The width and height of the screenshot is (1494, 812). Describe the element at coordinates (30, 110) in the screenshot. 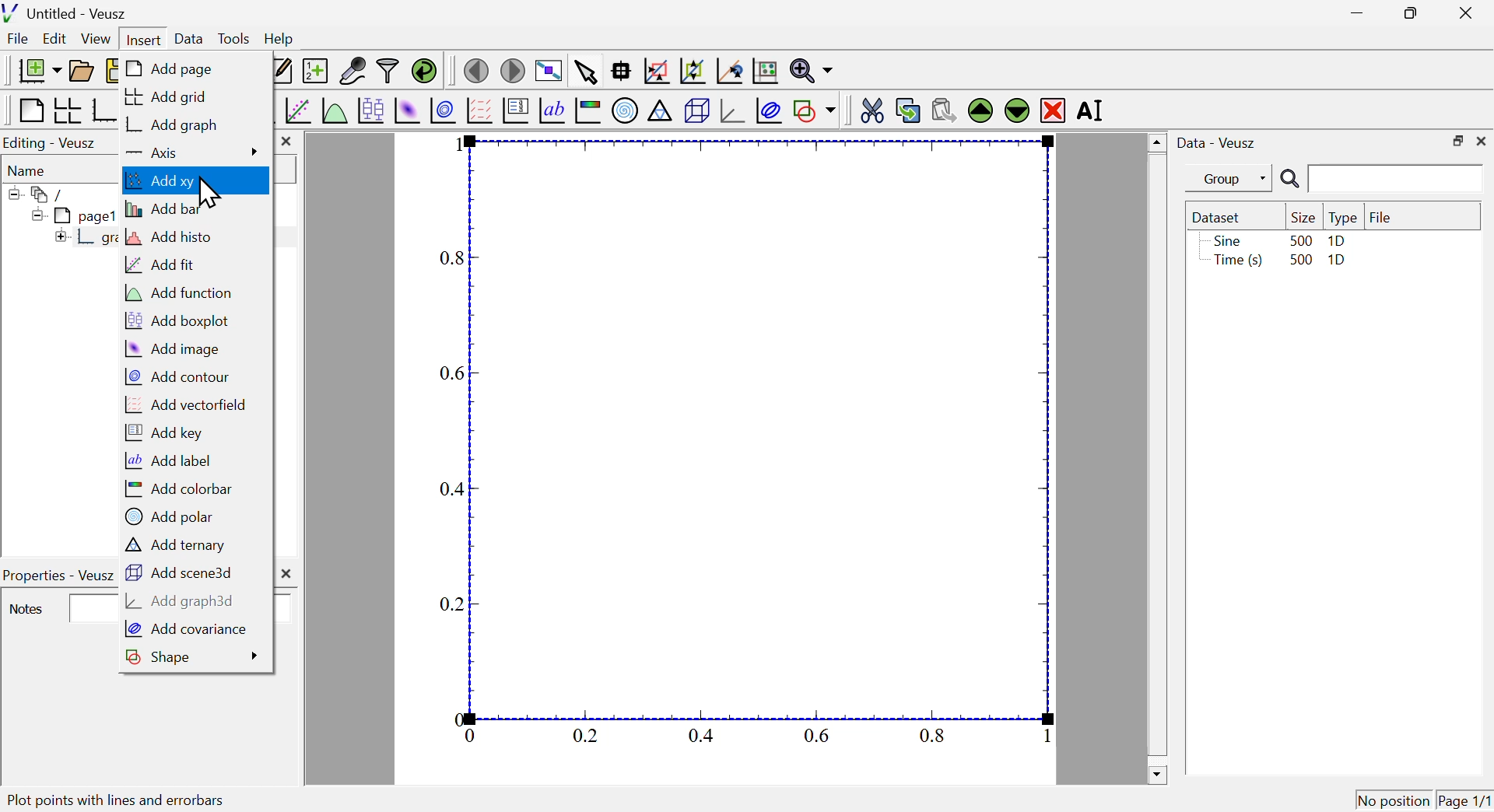

I see `blank page` at that location.